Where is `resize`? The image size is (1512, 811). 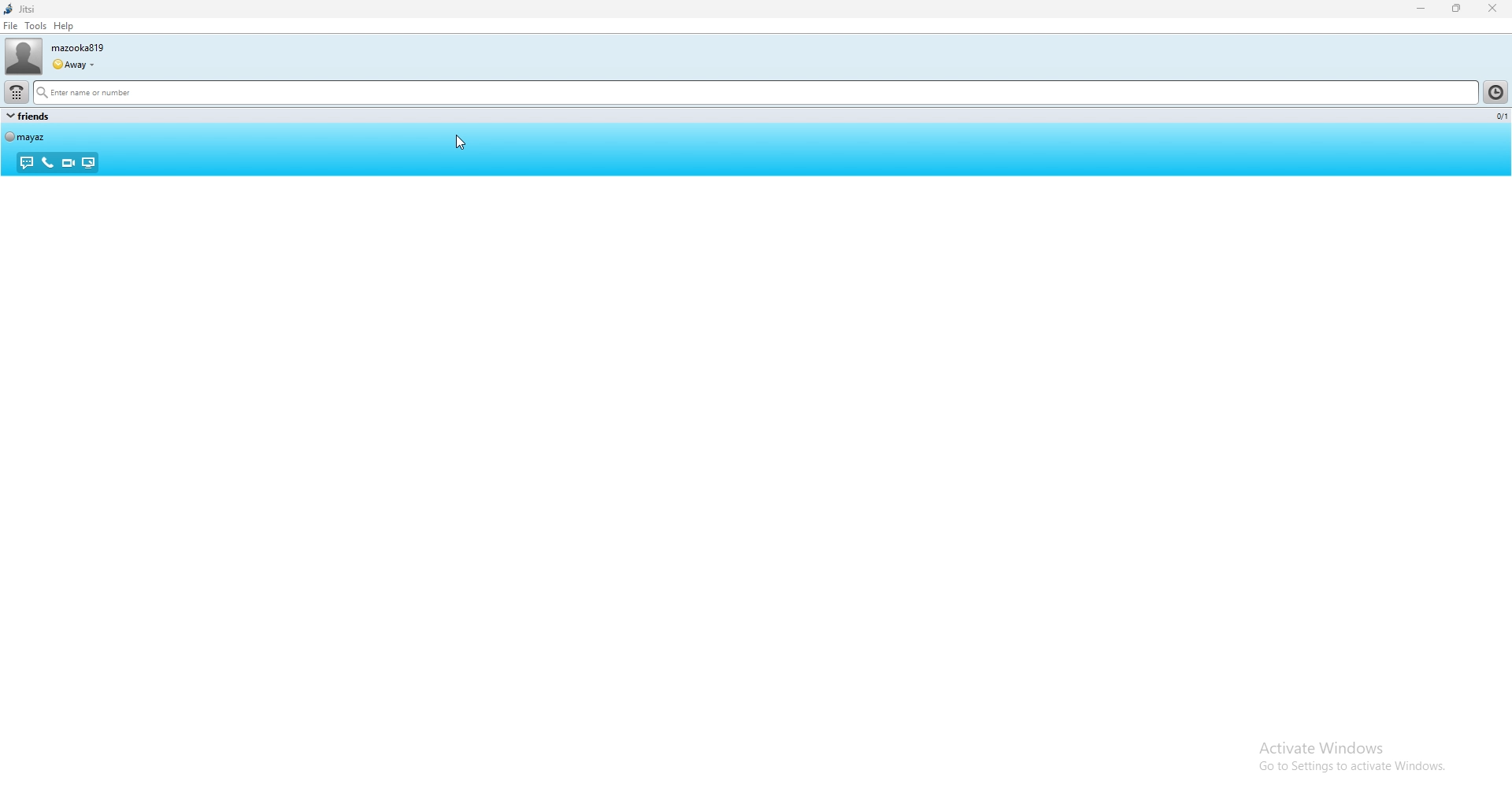 resize is located at coordinates (1458, 9).